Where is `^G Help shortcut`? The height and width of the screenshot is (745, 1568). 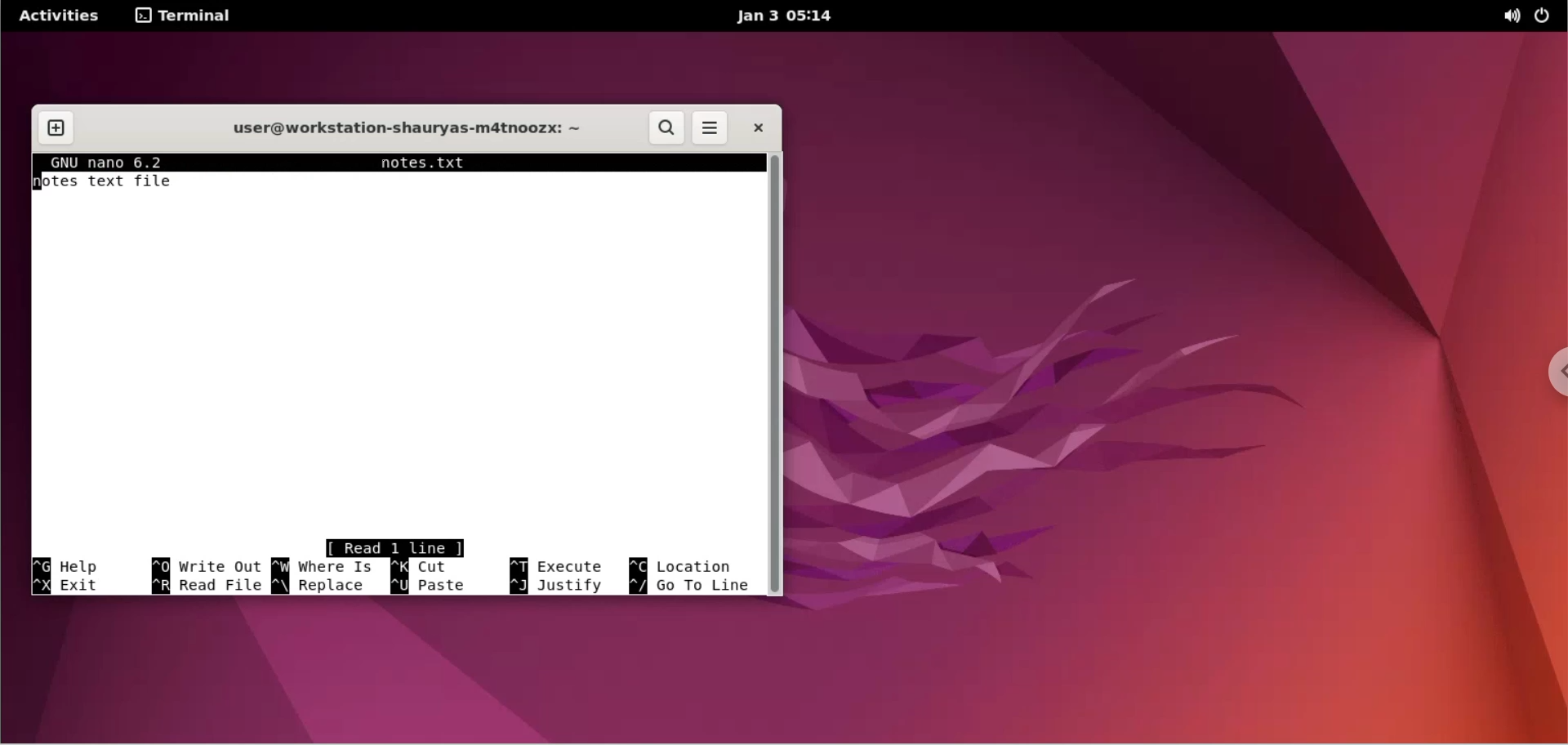
^G Help shortcut is located at coordinates (89, 567).